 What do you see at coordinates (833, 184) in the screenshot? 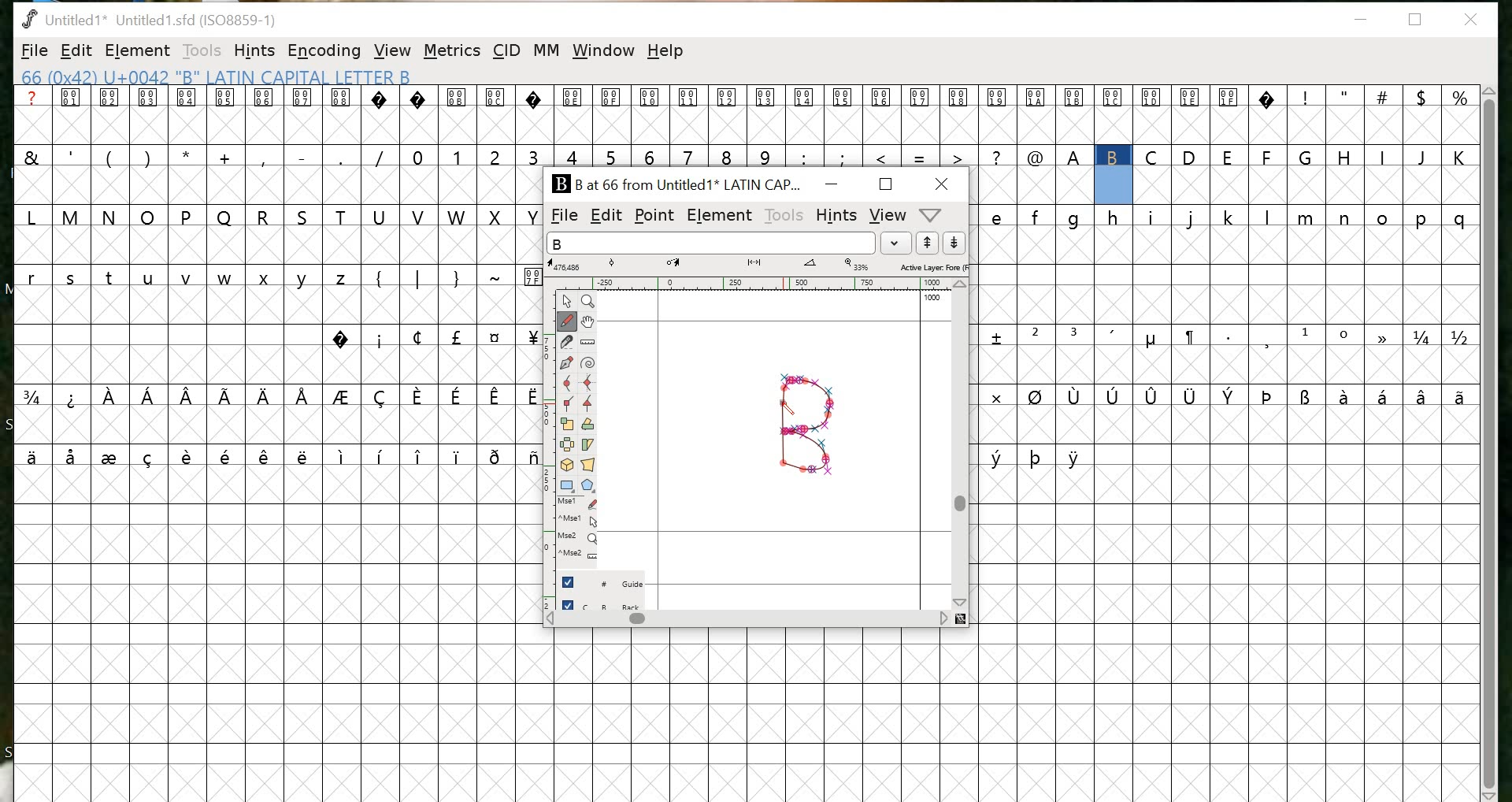
I see `MINIMIZE` at bounding box center [833, 184].